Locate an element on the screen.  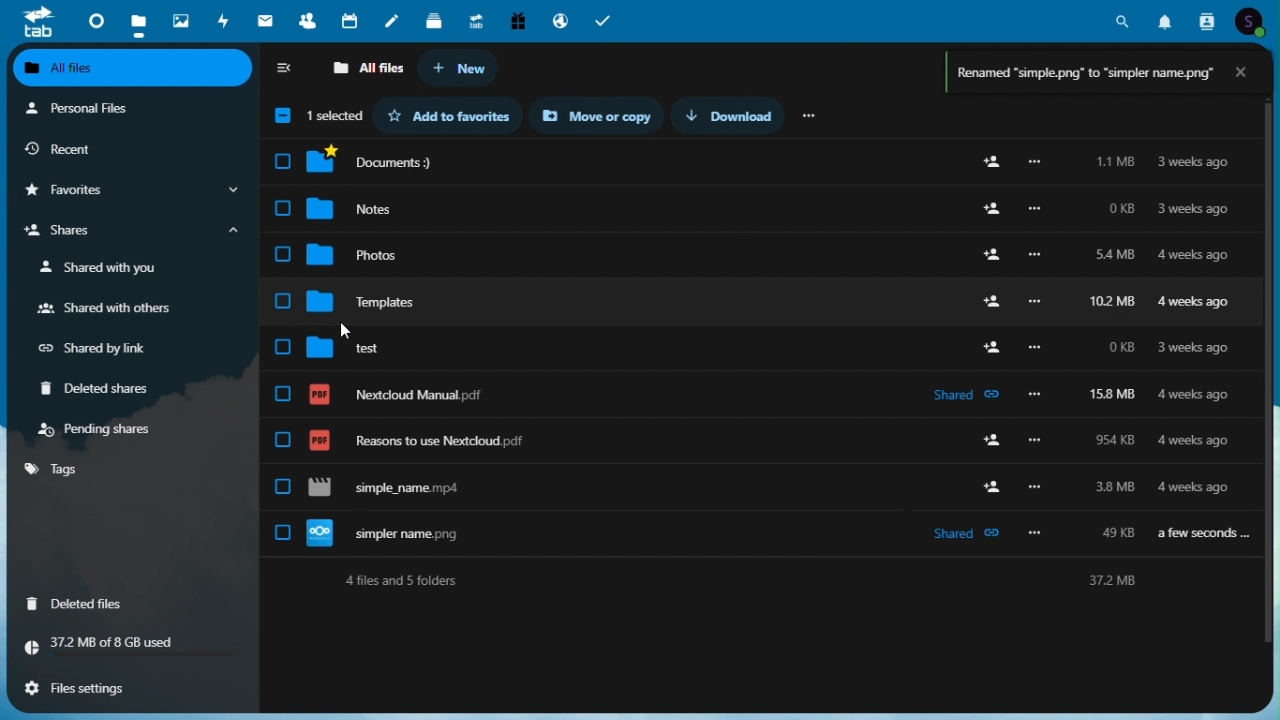
4 files and 5 folders is located at coordinates (762, 580).